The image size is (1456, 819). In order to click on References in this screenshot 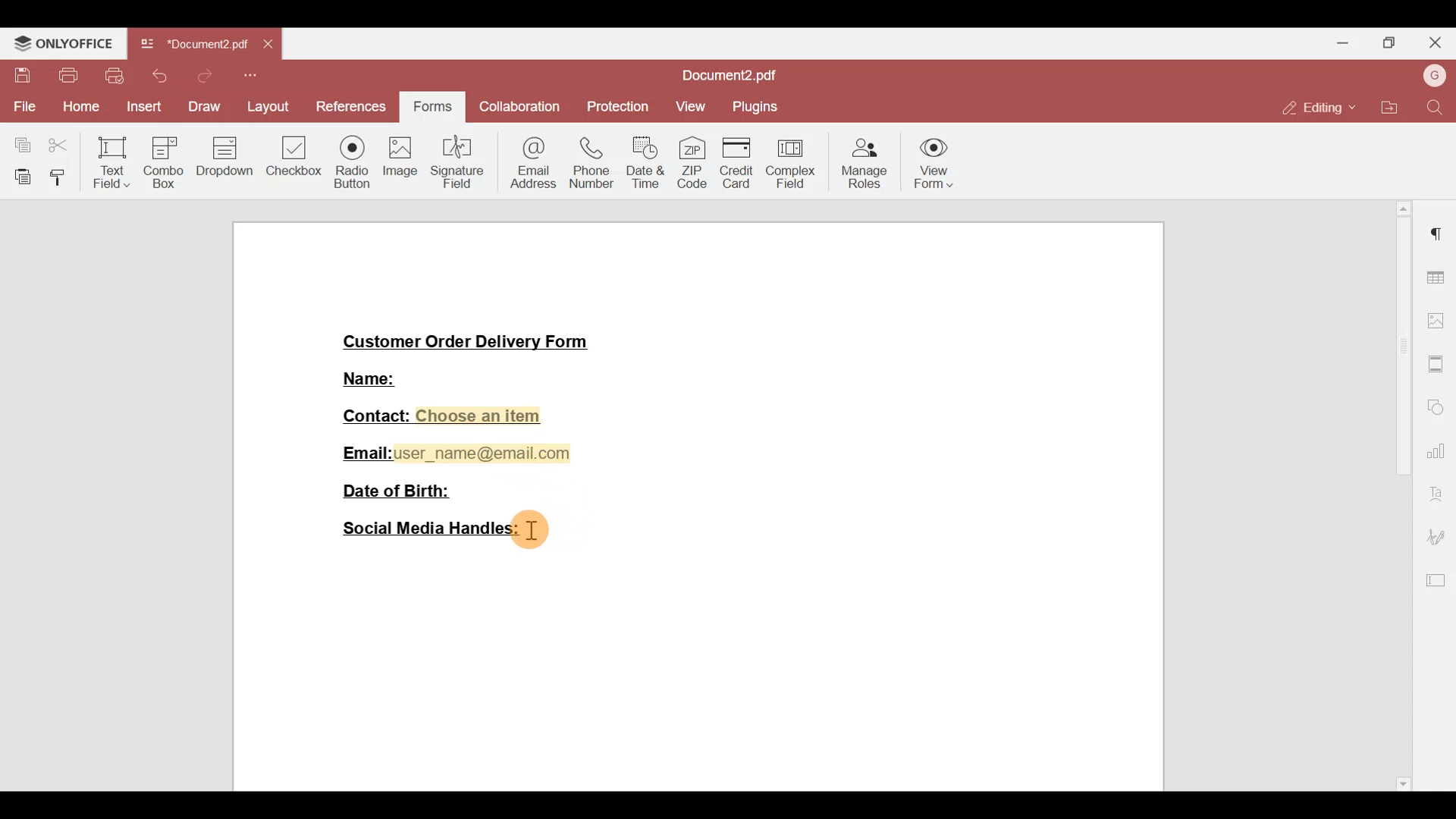, I will do `click(349, 105)`.